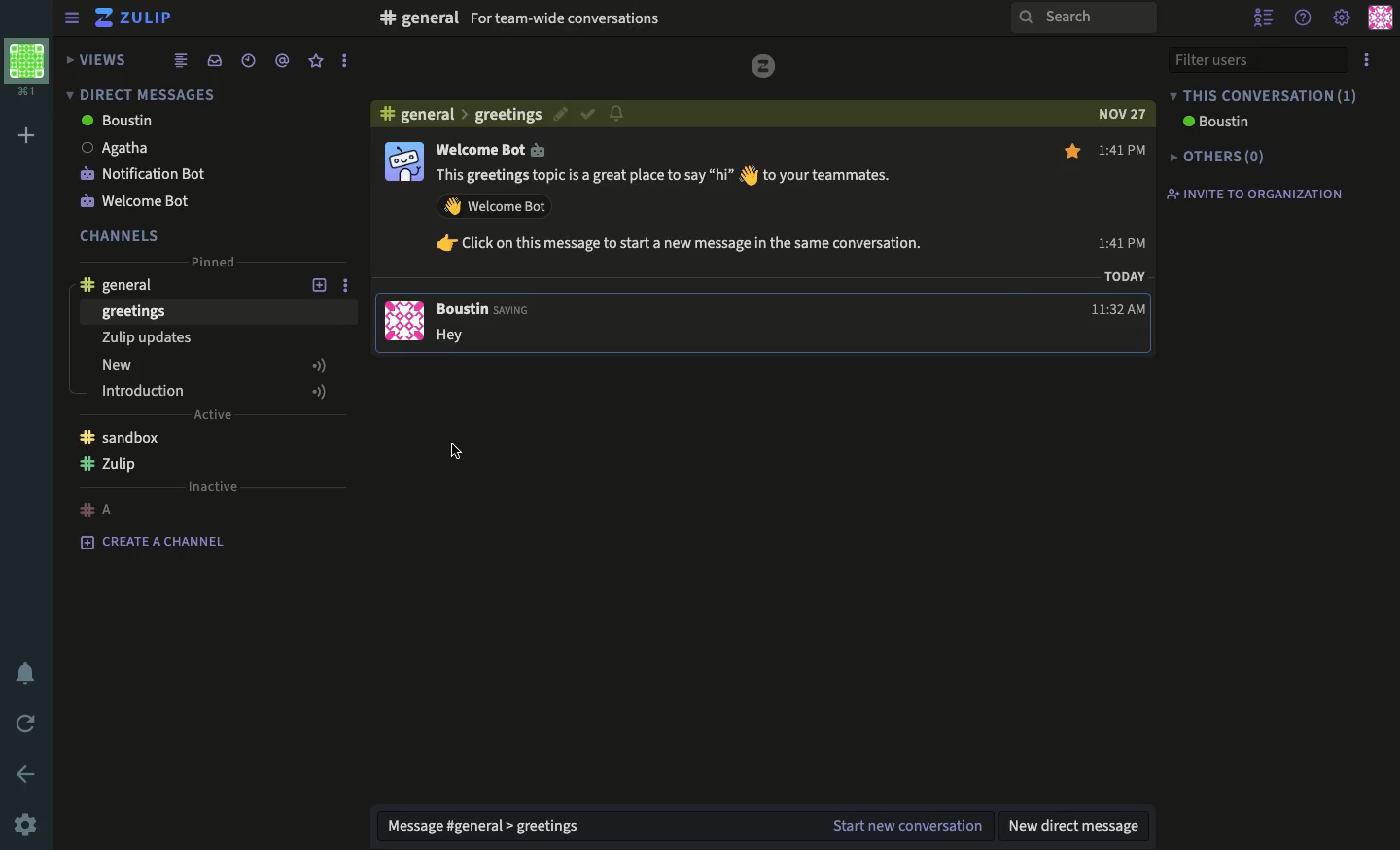 Image resolution: width=1400 pixels, height=850 pixels. I want to click on inactive, so click(213, 486).